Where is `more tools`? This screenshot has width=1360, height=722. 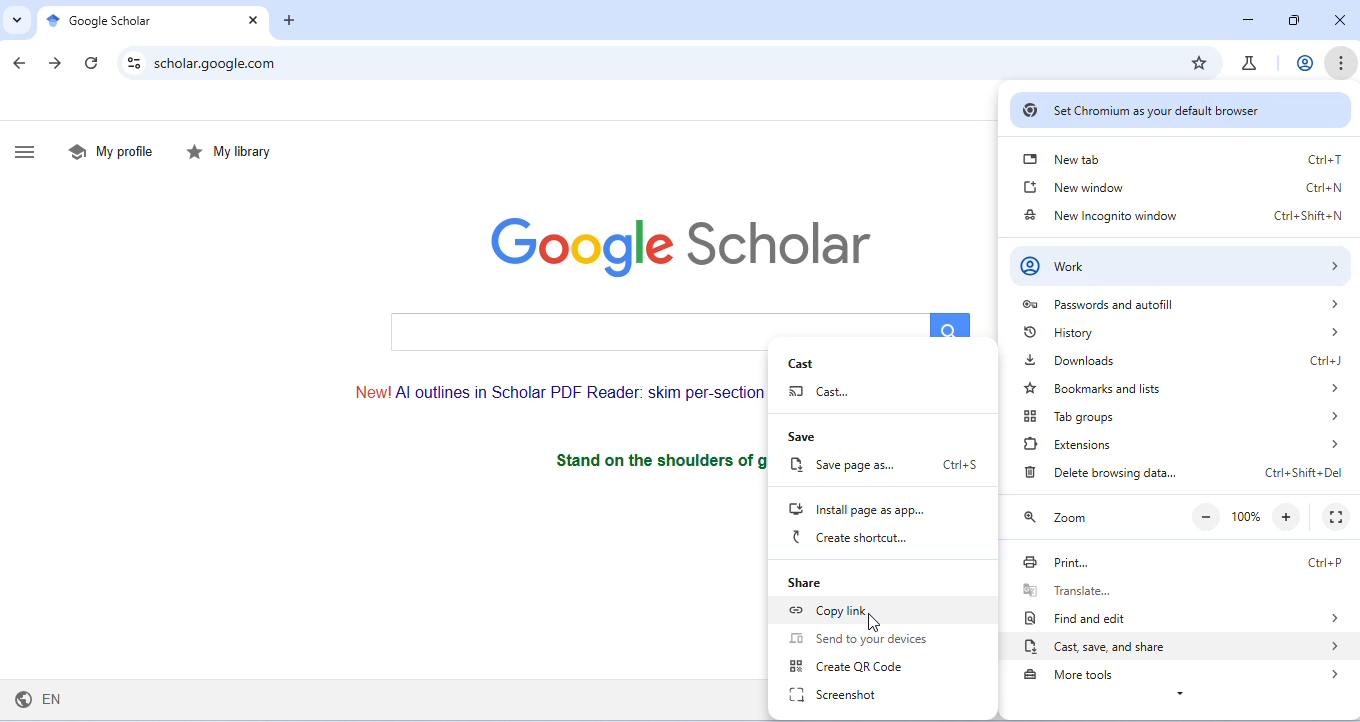 more tools is located at coordinates (1189, 676).